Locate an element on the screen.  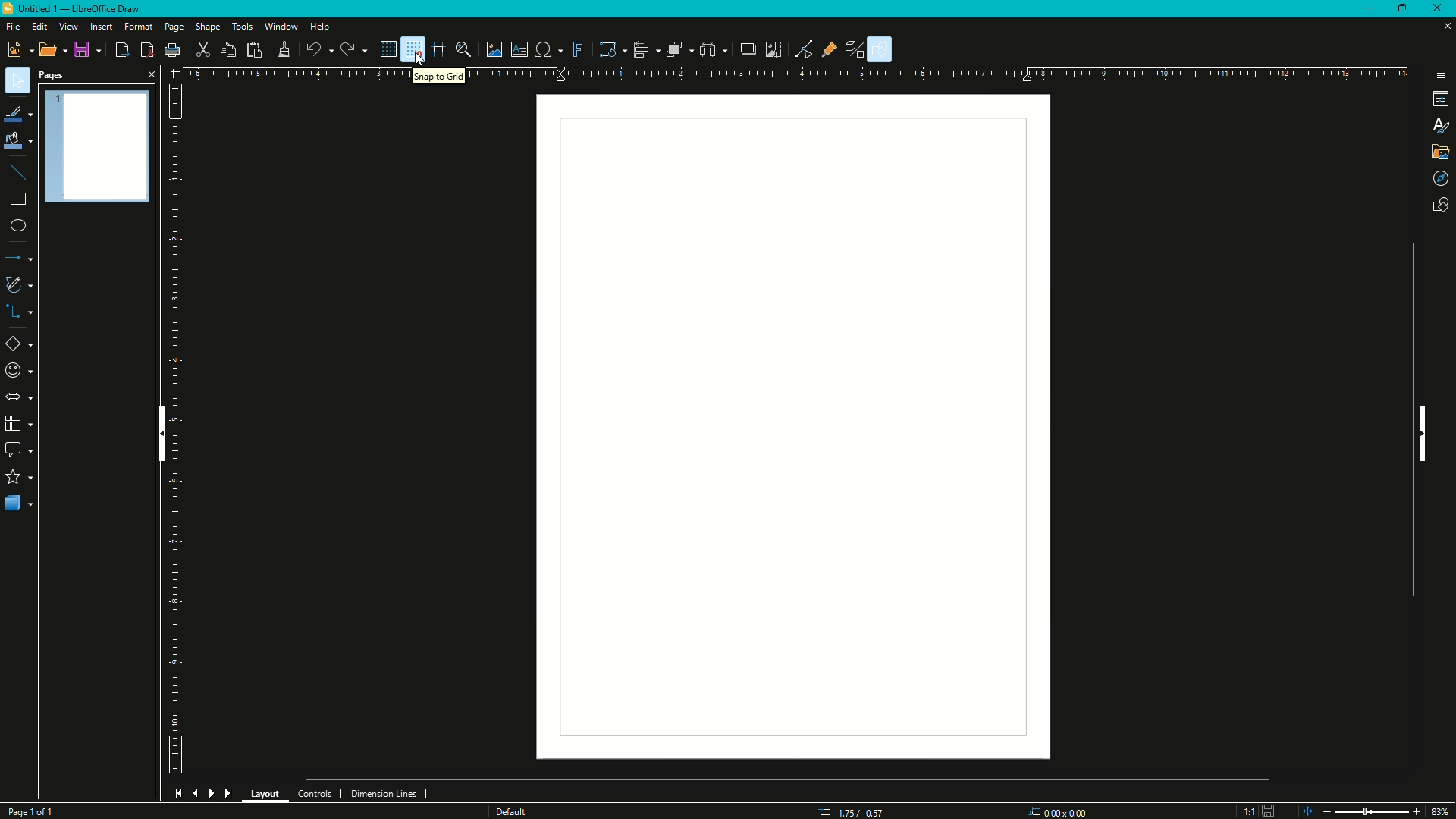
Insert image is located at coordinates (491, 51).